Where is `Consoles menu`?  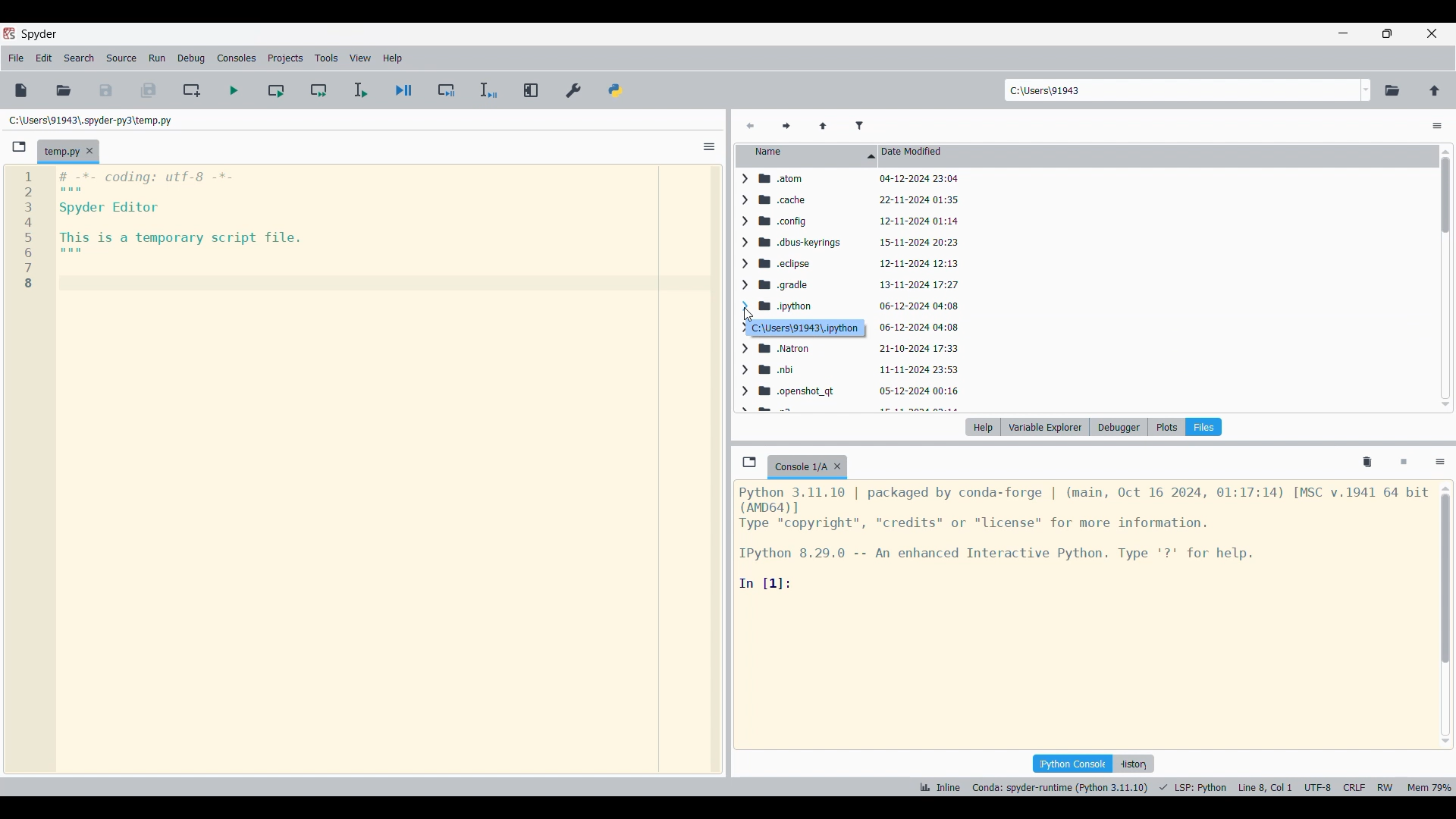
Consoles menu is located at coordinates (236, 58).